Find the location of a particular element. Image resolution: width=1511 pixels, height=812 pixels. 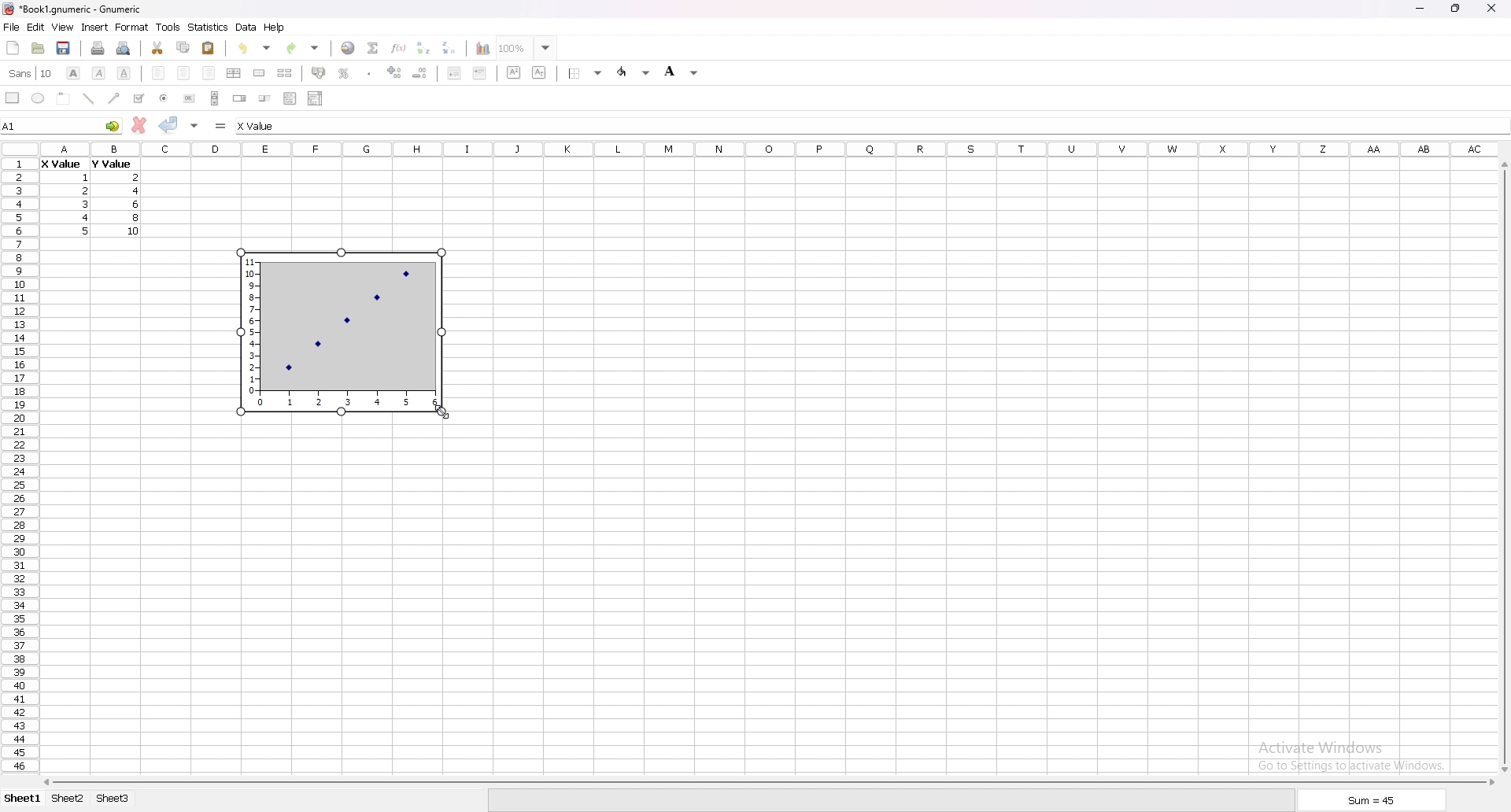

font is located at coordinates (31, 73).